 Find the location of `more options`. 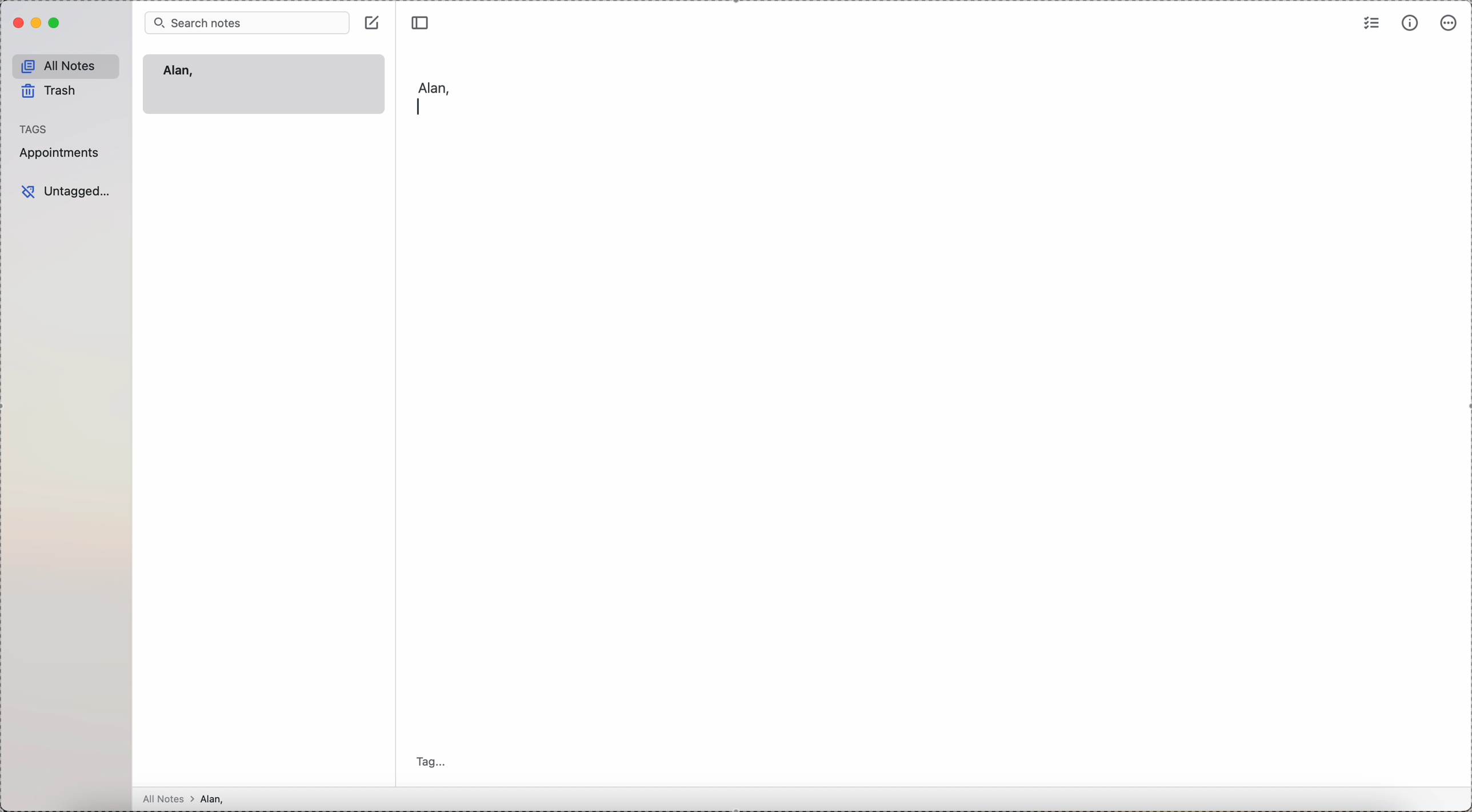

more options is located at coordinates (1449, 23).